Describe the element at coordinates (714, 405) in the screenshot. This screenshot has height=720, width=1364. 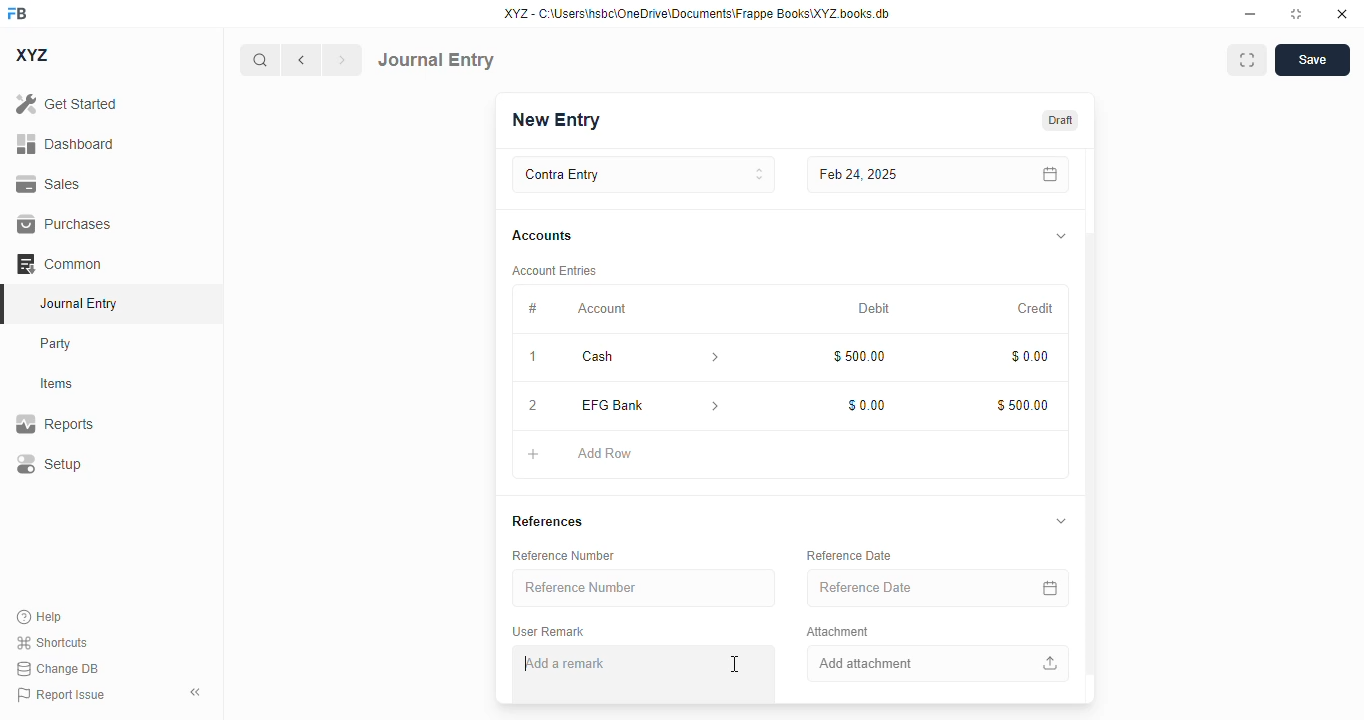
I see `account information` at that location.